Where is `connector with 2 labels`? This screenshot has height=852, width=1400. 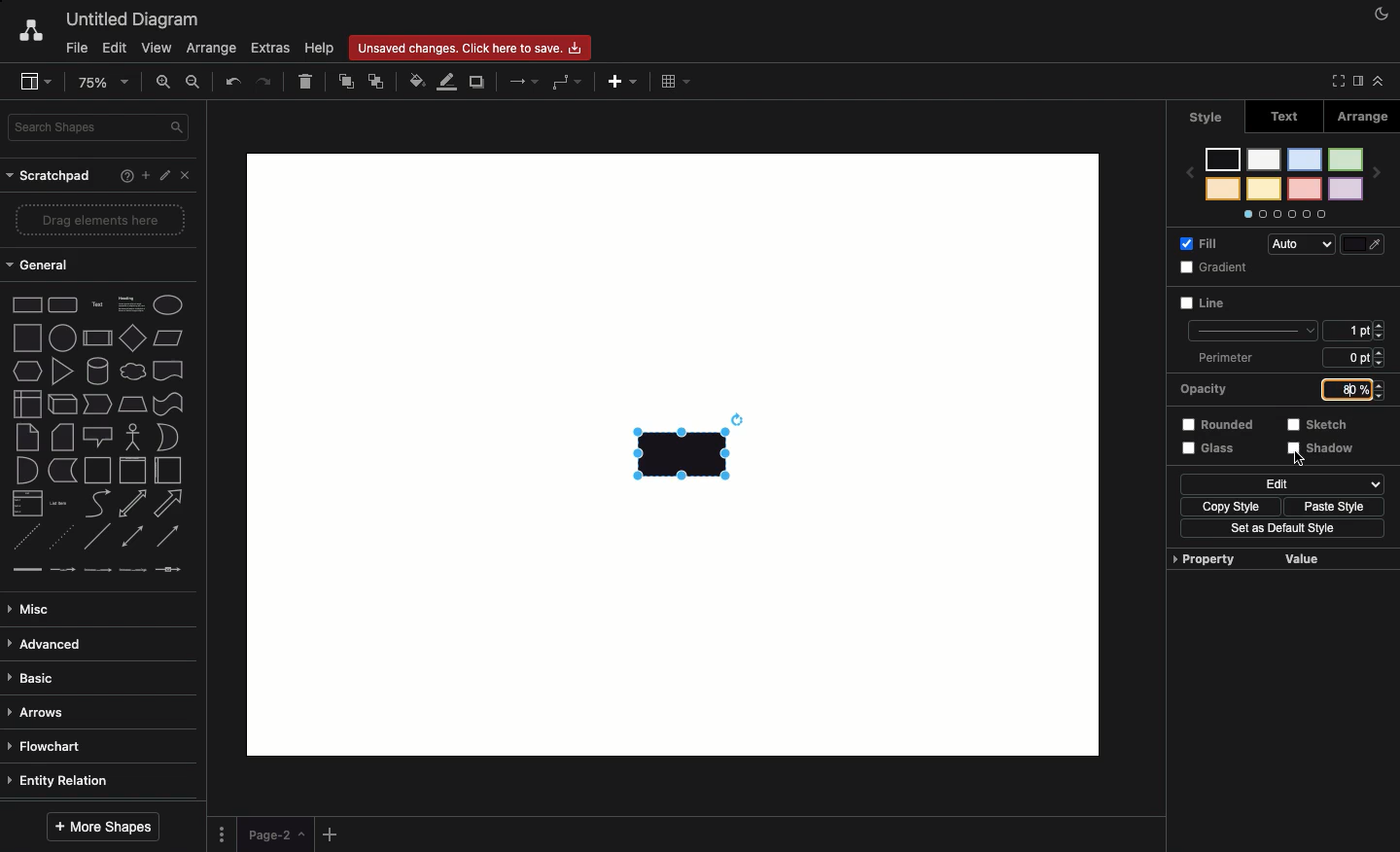
connector with 2 labels is located at coordinates (97, 571).